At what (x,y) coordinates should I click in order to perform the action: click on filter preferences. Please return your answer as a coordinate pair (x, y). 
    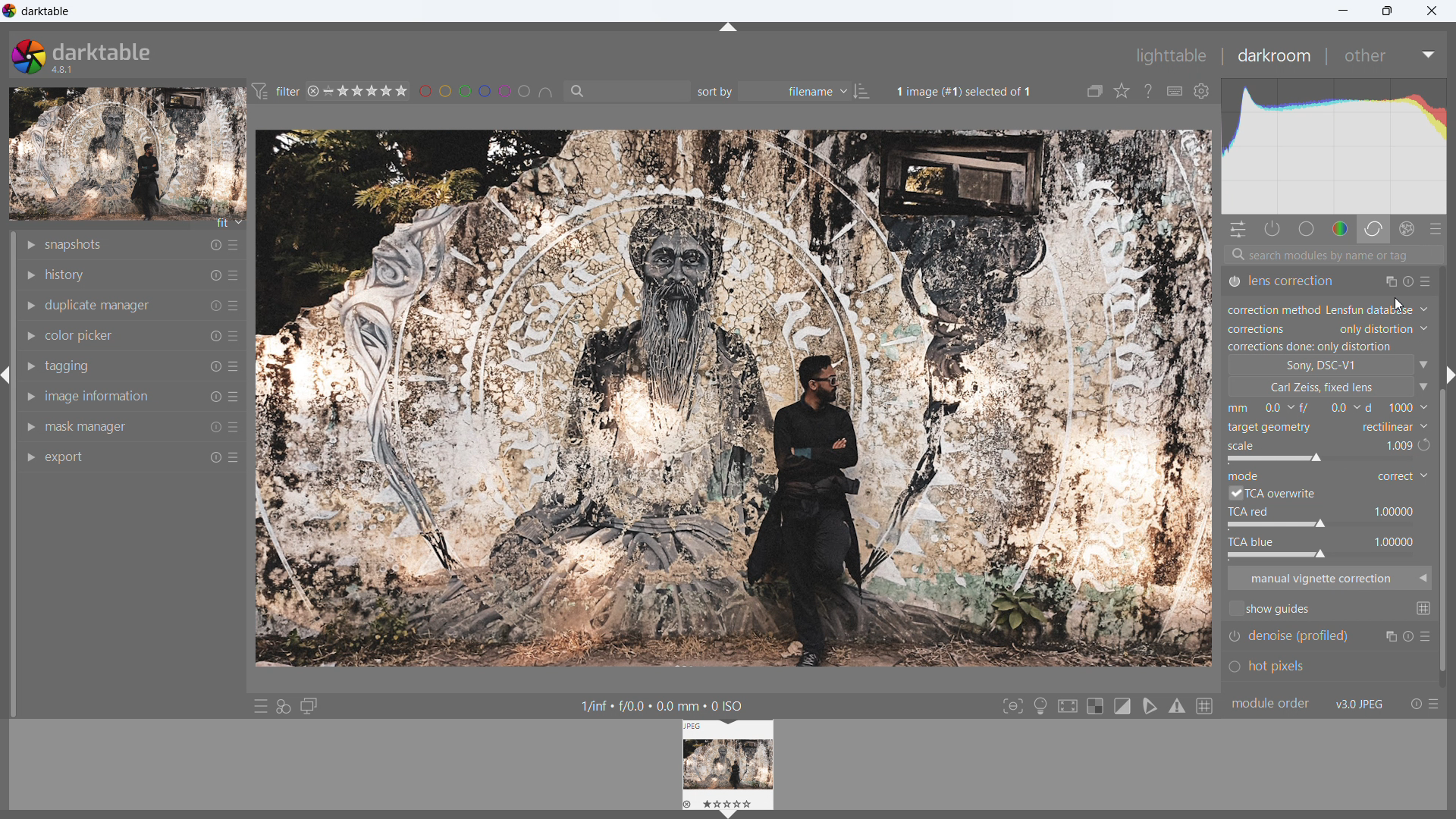
    Looking at the image, I should click on (276, 92).